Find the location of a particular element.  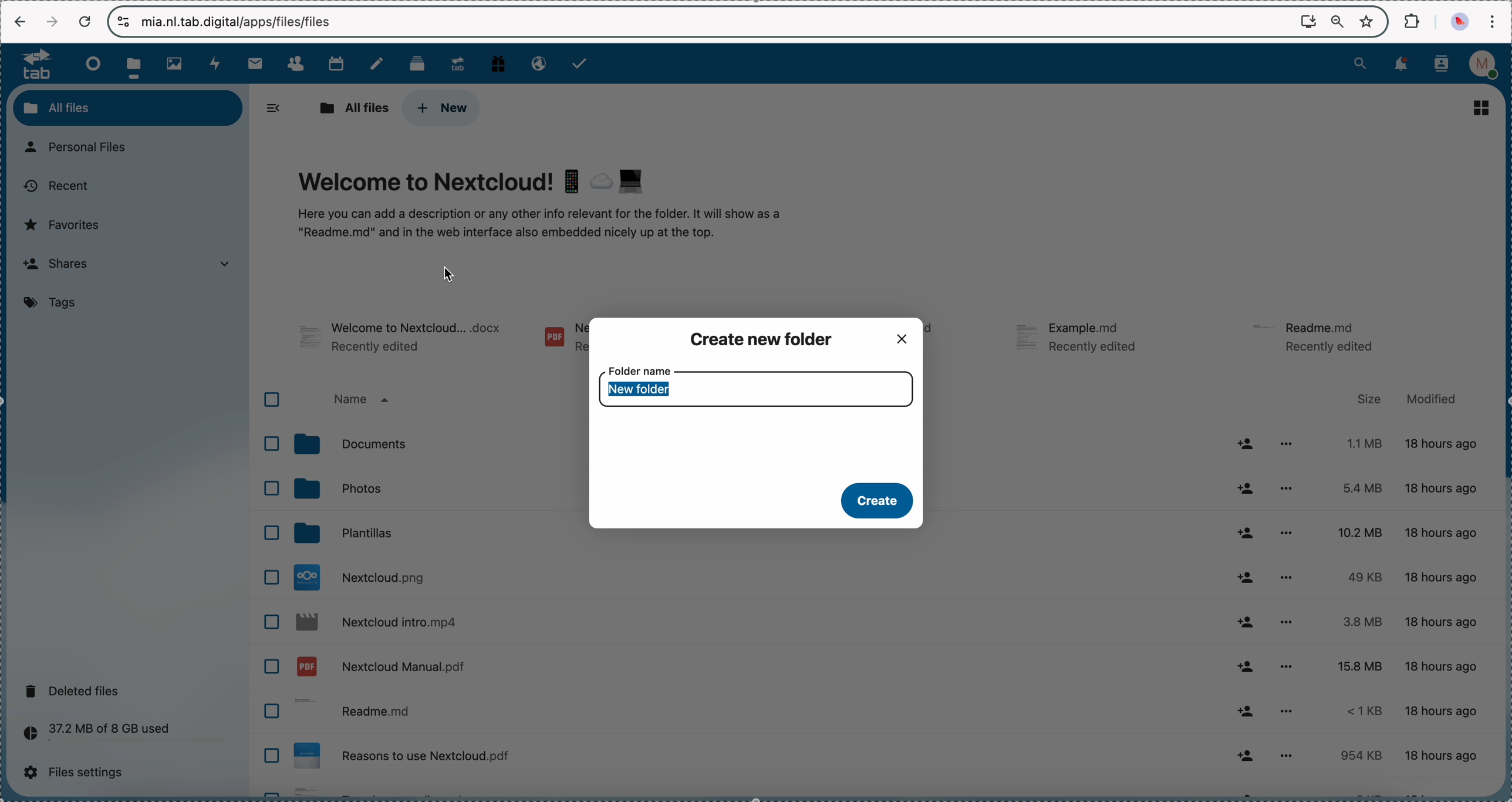

file is located at coordinates (752, 668).